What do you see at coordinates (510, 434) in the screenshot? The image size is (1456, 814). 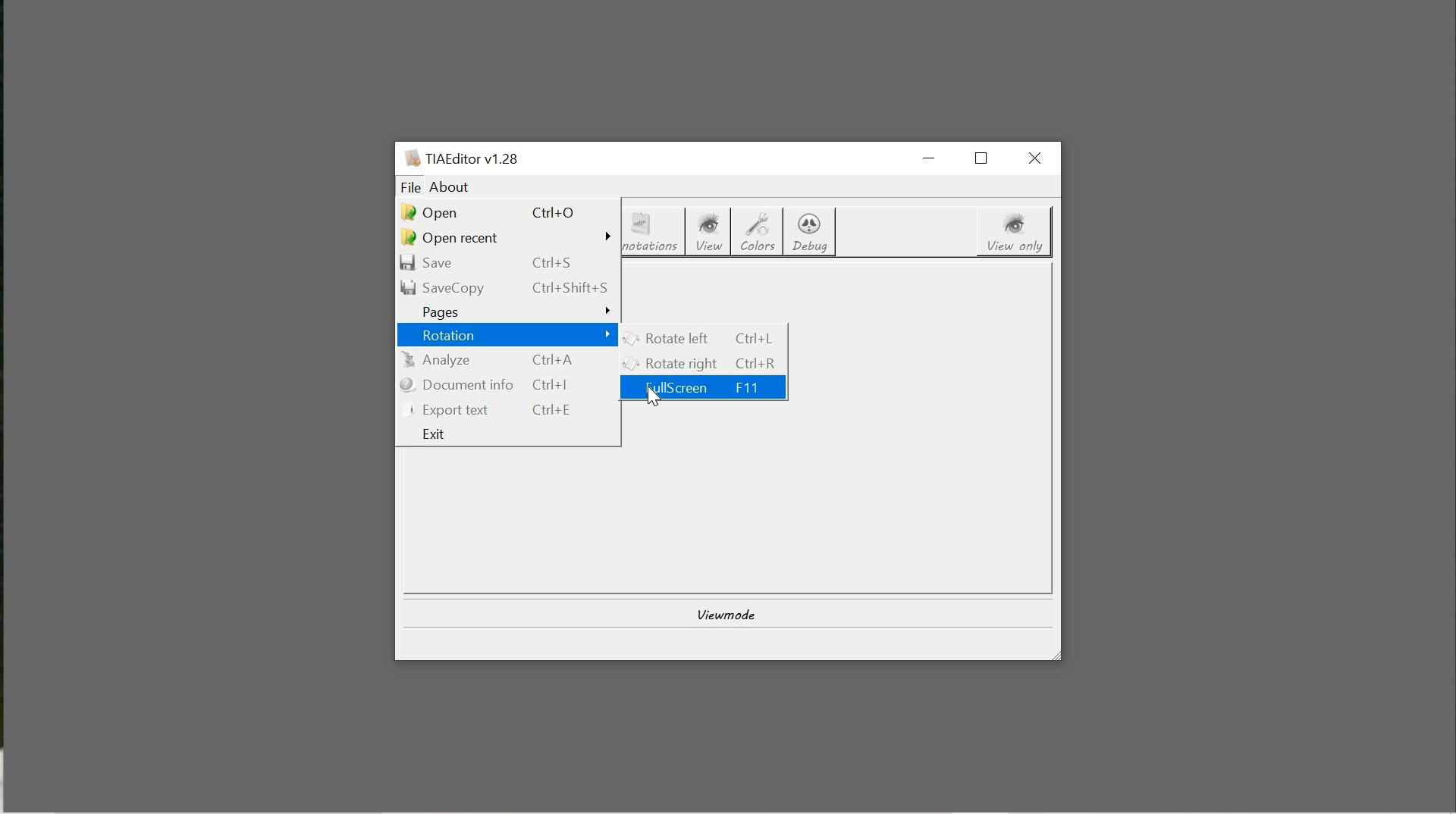 I see `exit` at bounding box center [510, 434].